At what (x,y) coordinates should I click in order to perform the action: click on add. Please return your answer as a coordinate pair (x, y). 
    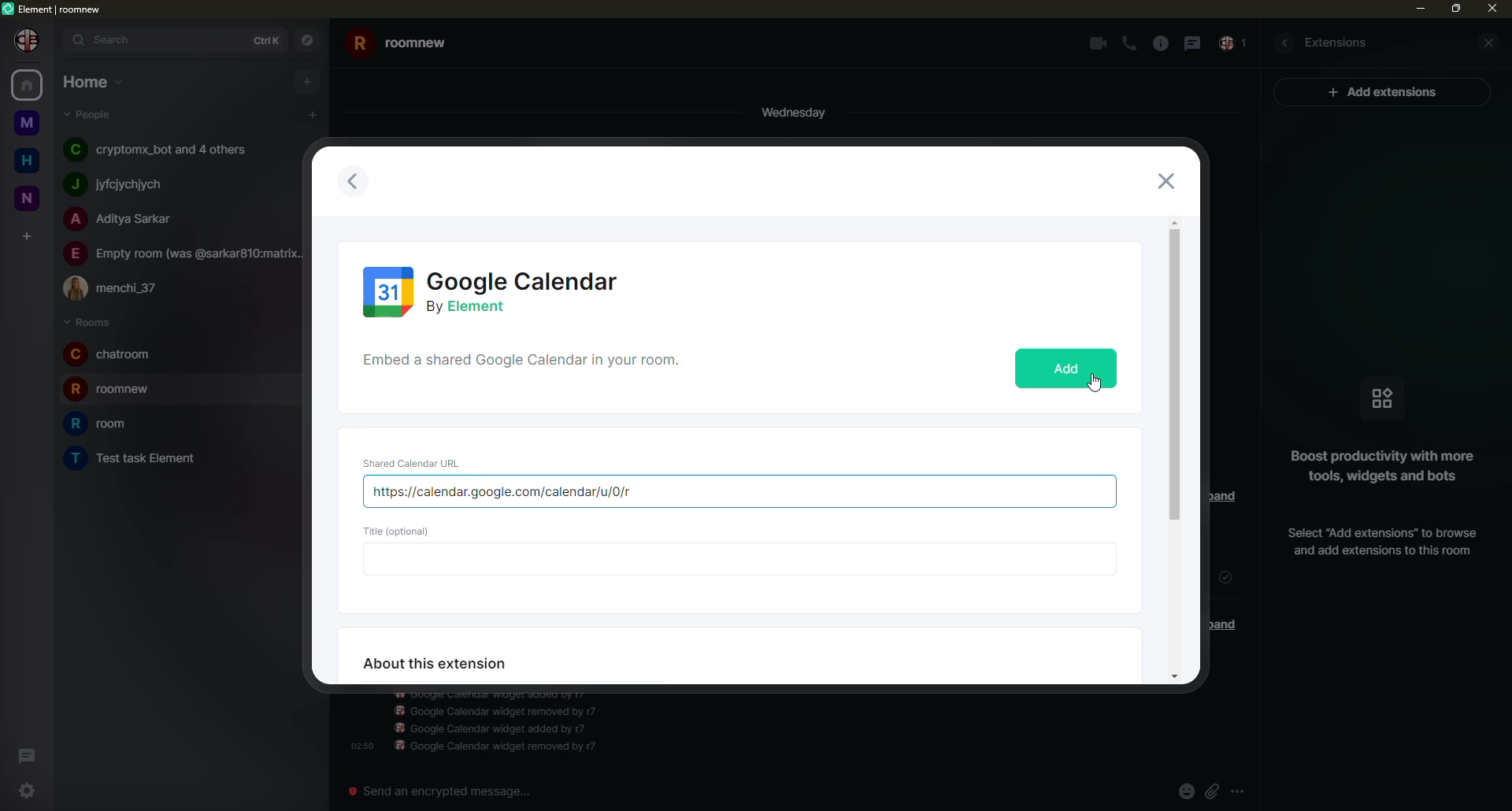
    Looking at the image, I should click on (27, 236).